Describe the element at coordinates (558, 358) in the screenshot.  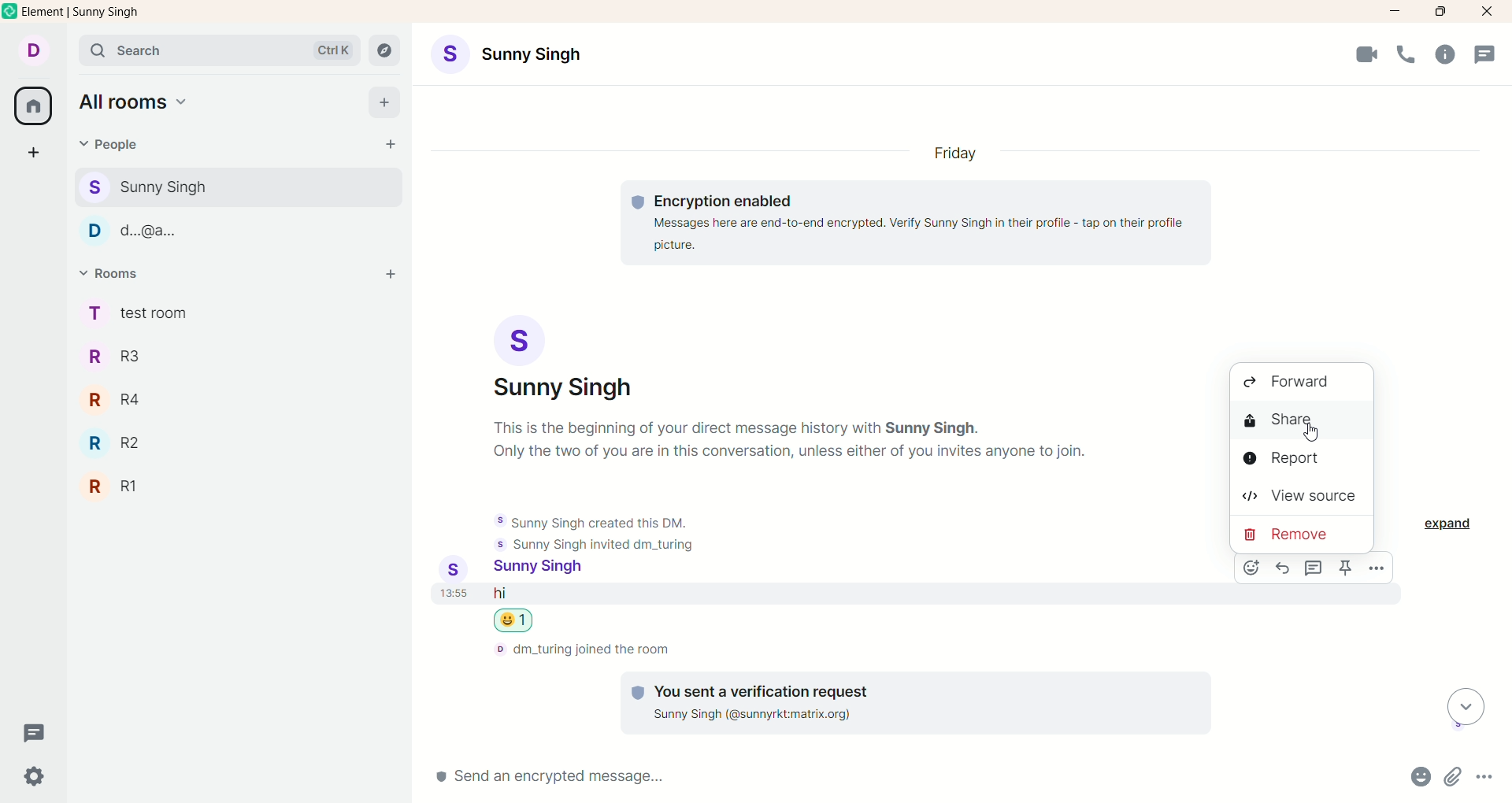
I see `account` at that location.